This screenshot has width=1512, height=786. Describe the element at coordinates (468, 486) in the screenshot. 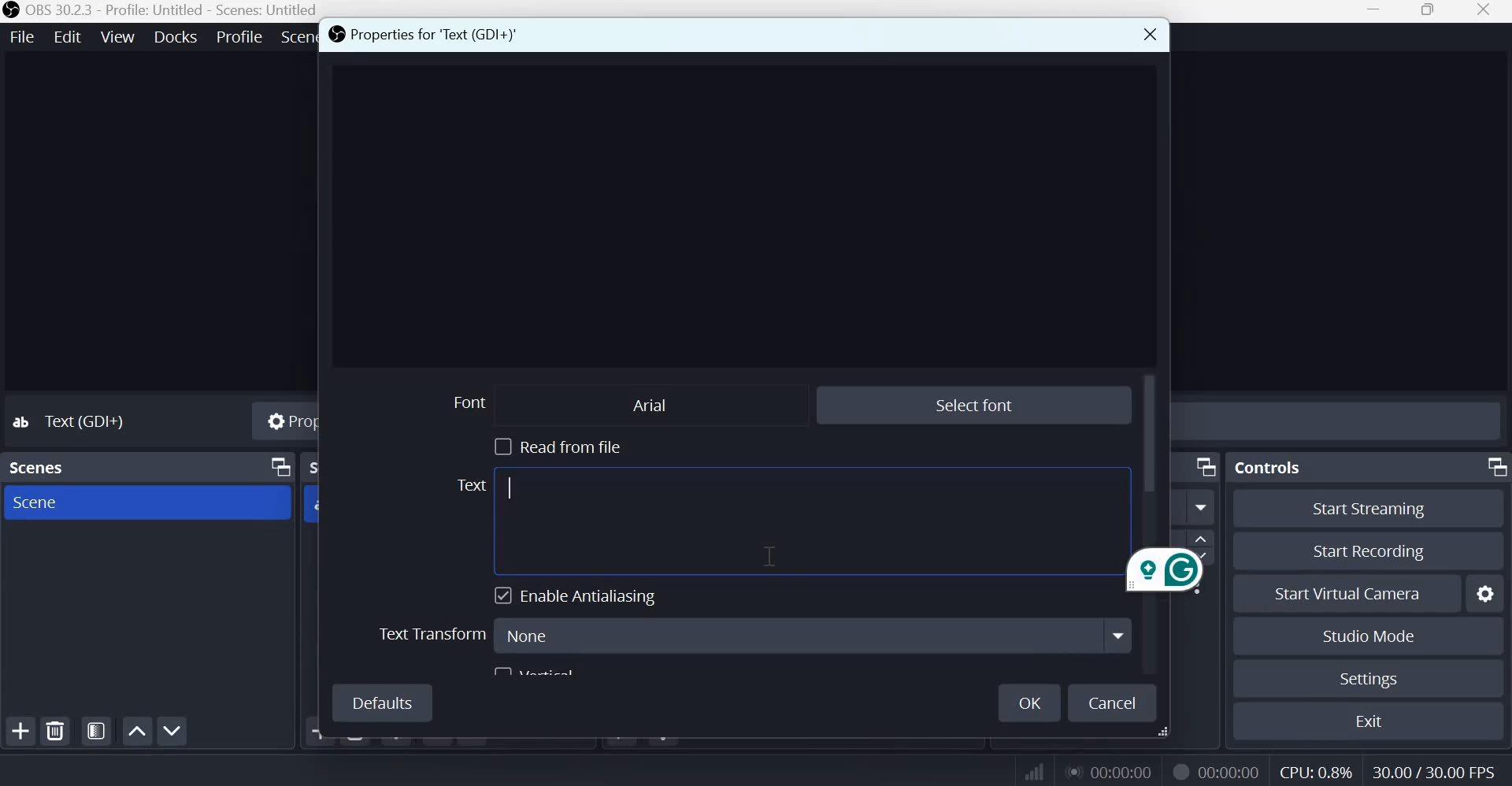

I see `Text` at that location.